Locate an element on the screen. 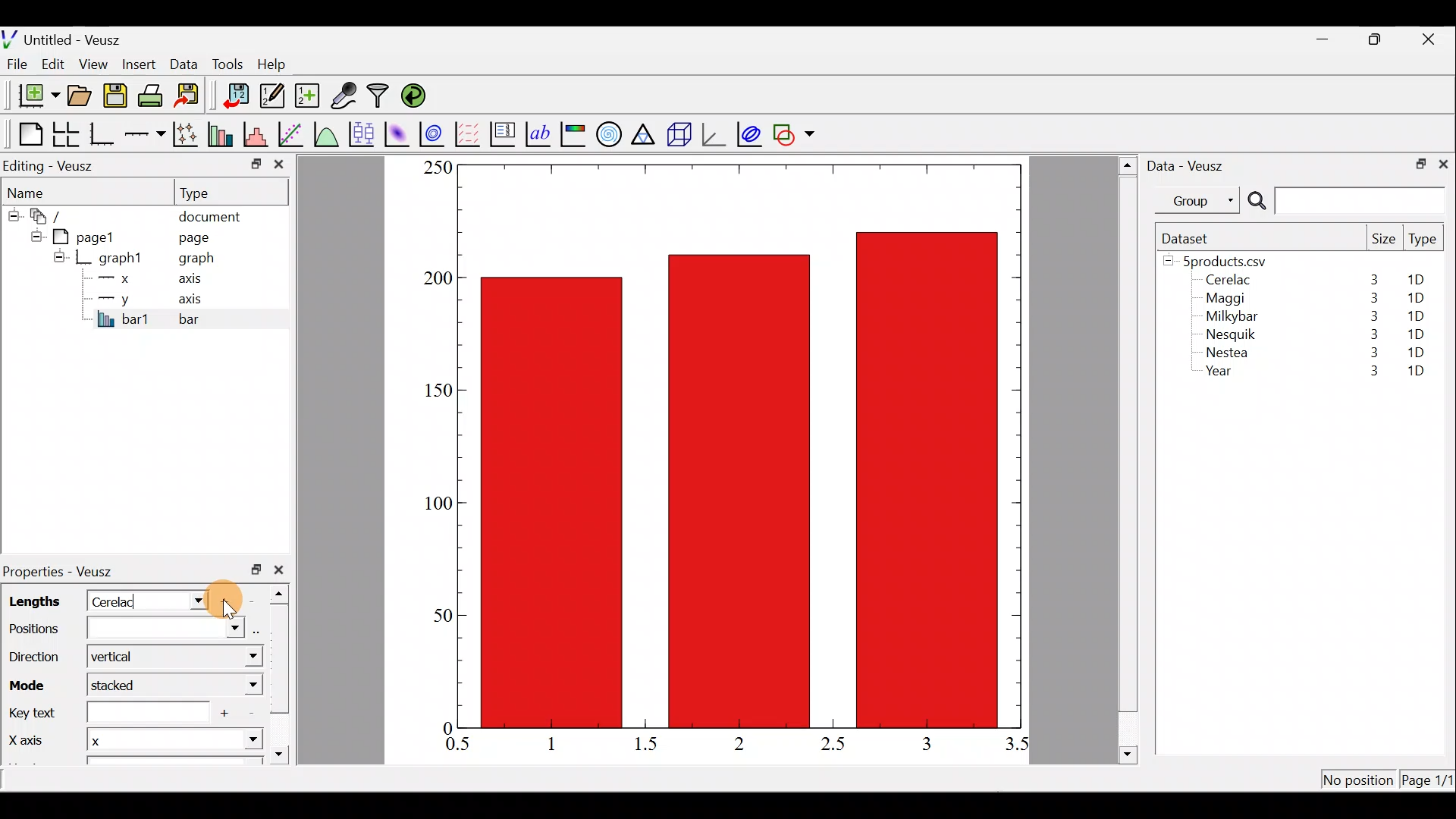 This screenshot has height=819, width=1456. Dataset is located at coordinates (1191, 238).